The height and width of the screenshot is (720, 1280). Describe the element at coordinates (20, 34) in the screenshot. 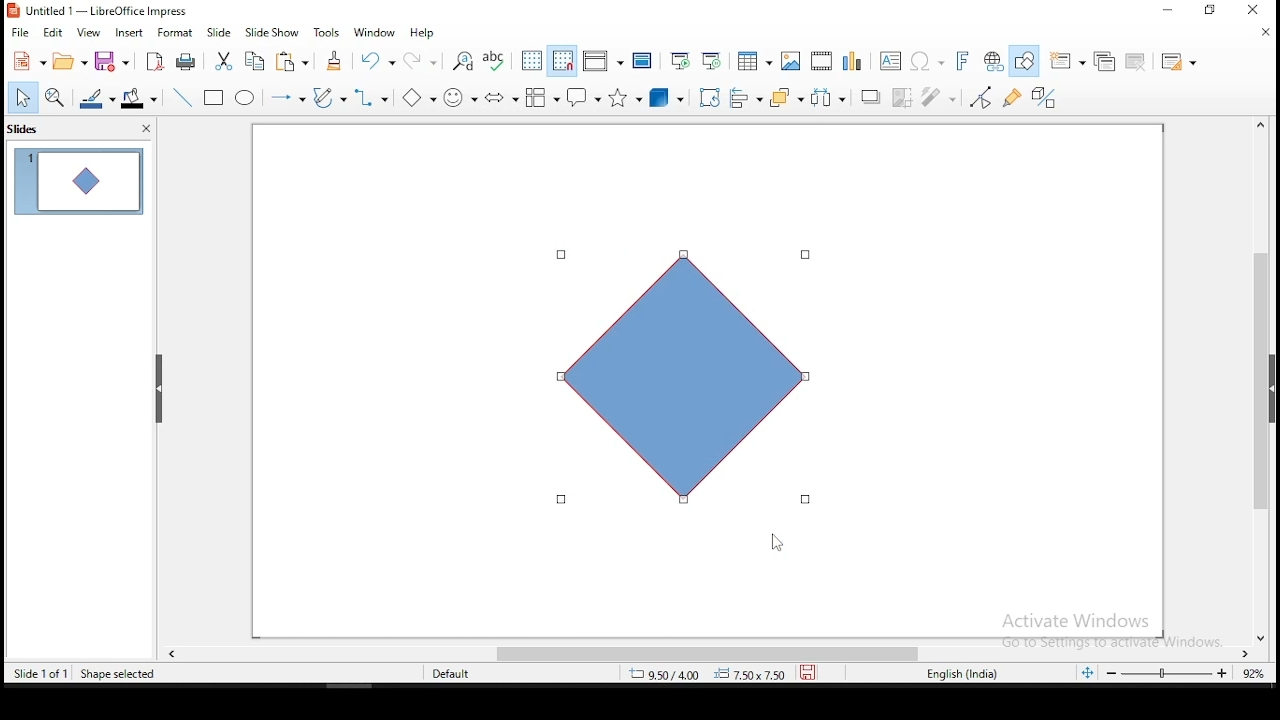

I see `file` at that location.